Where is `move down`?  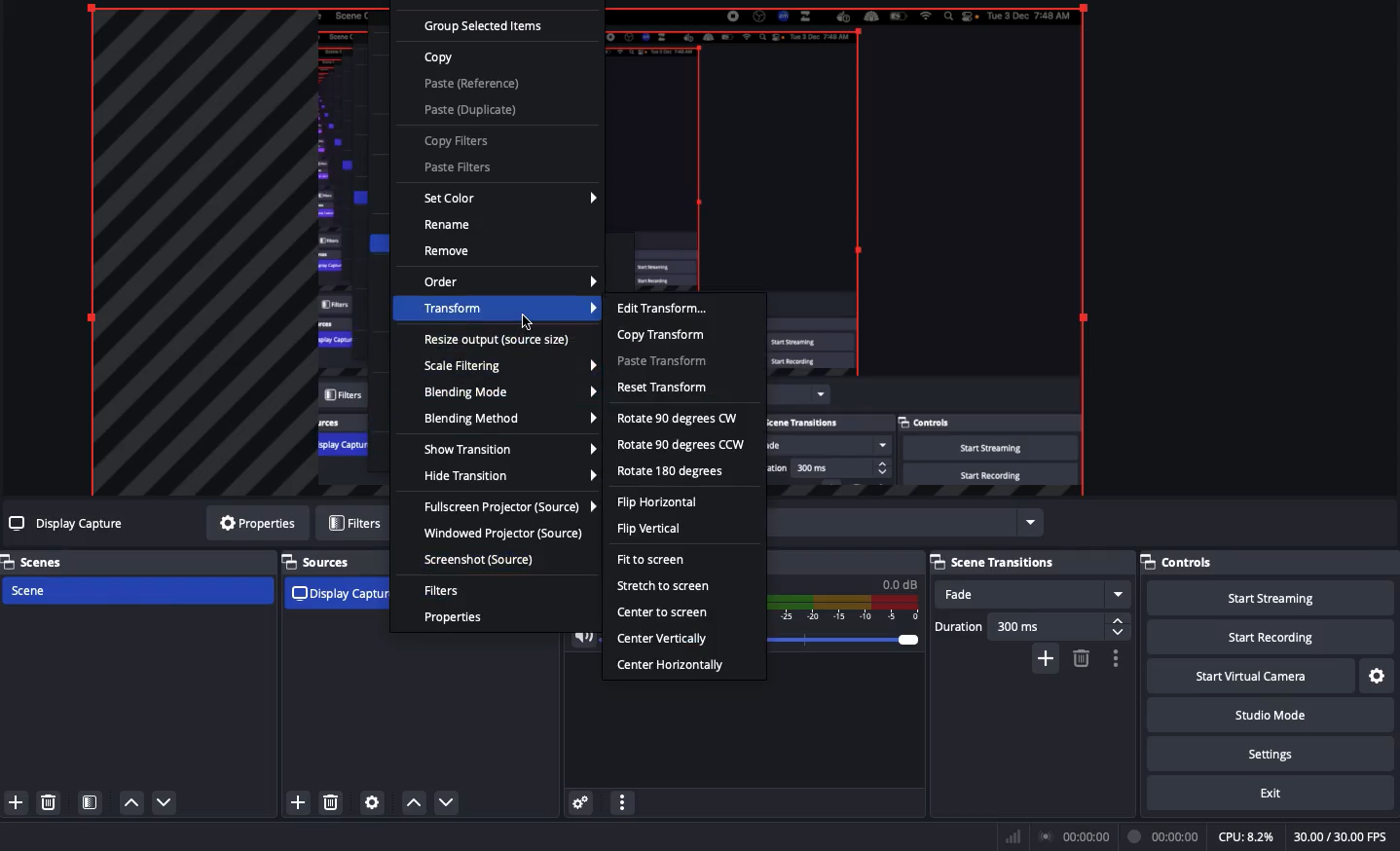 move down is located at coordinates (449, 804).